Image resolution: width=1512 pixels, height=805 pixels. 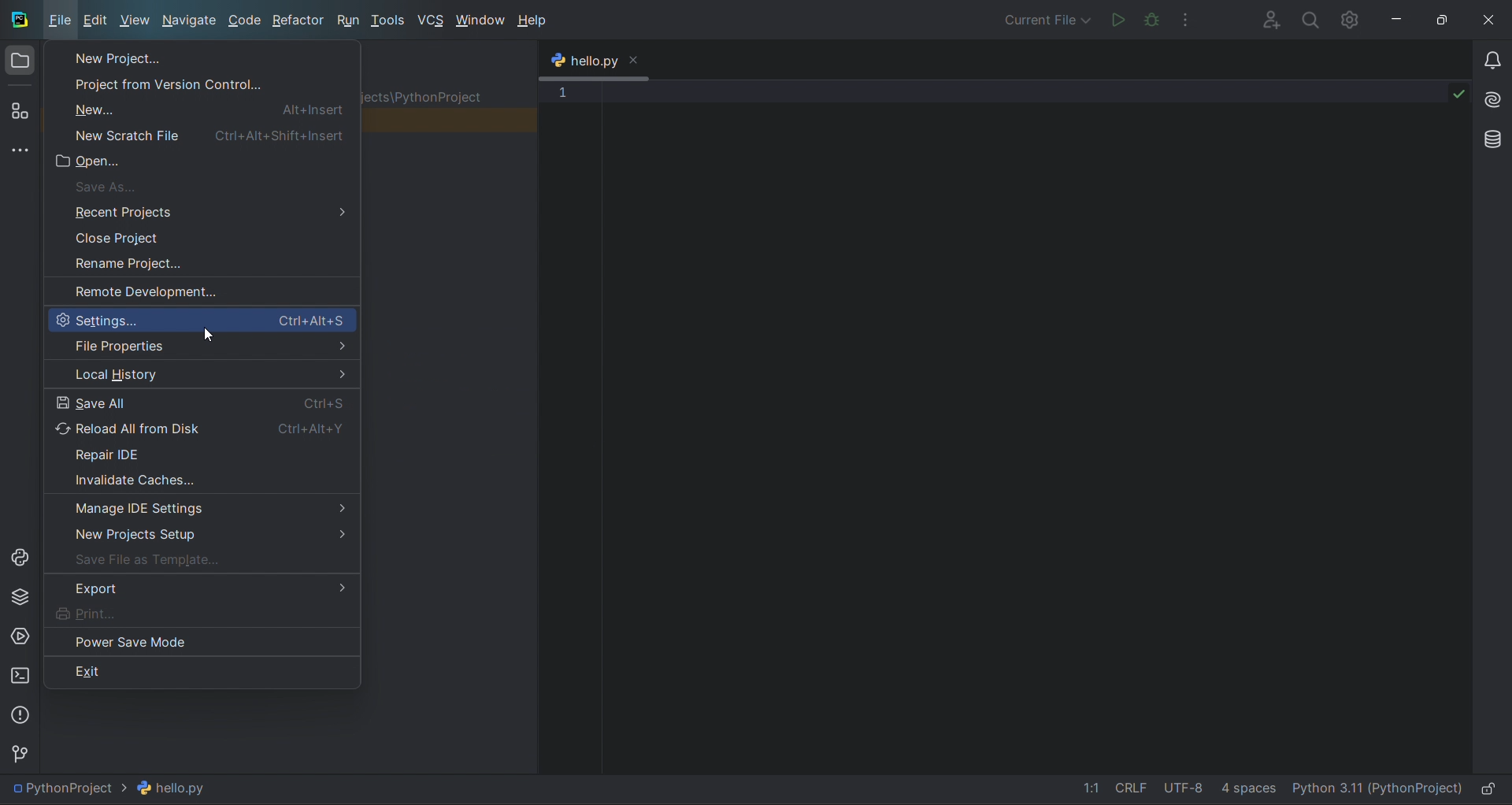 I want to click on navigate, so click(x=185, y=20).